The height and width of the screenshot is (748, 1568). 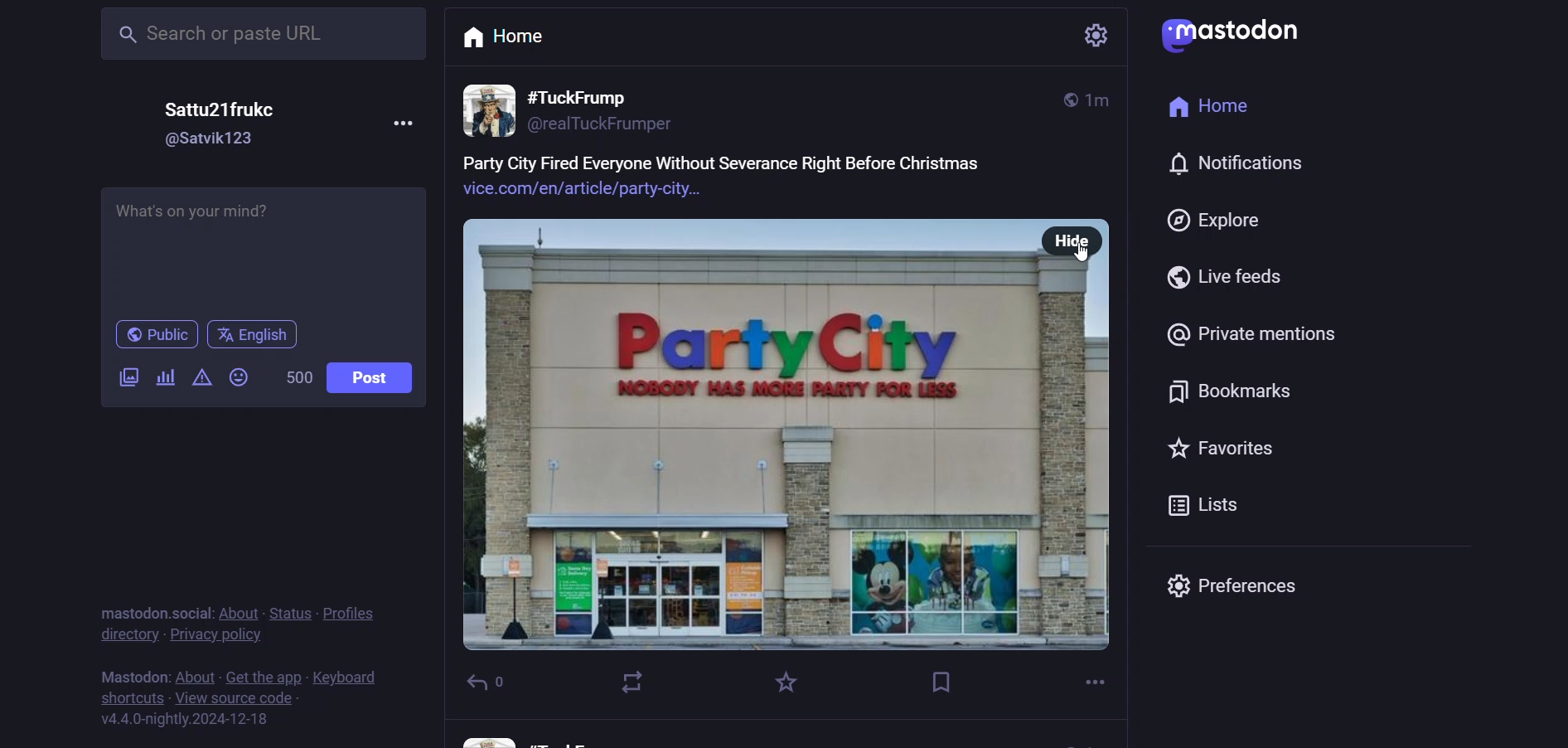 I want to click on @username, so click(x=214, y=143).